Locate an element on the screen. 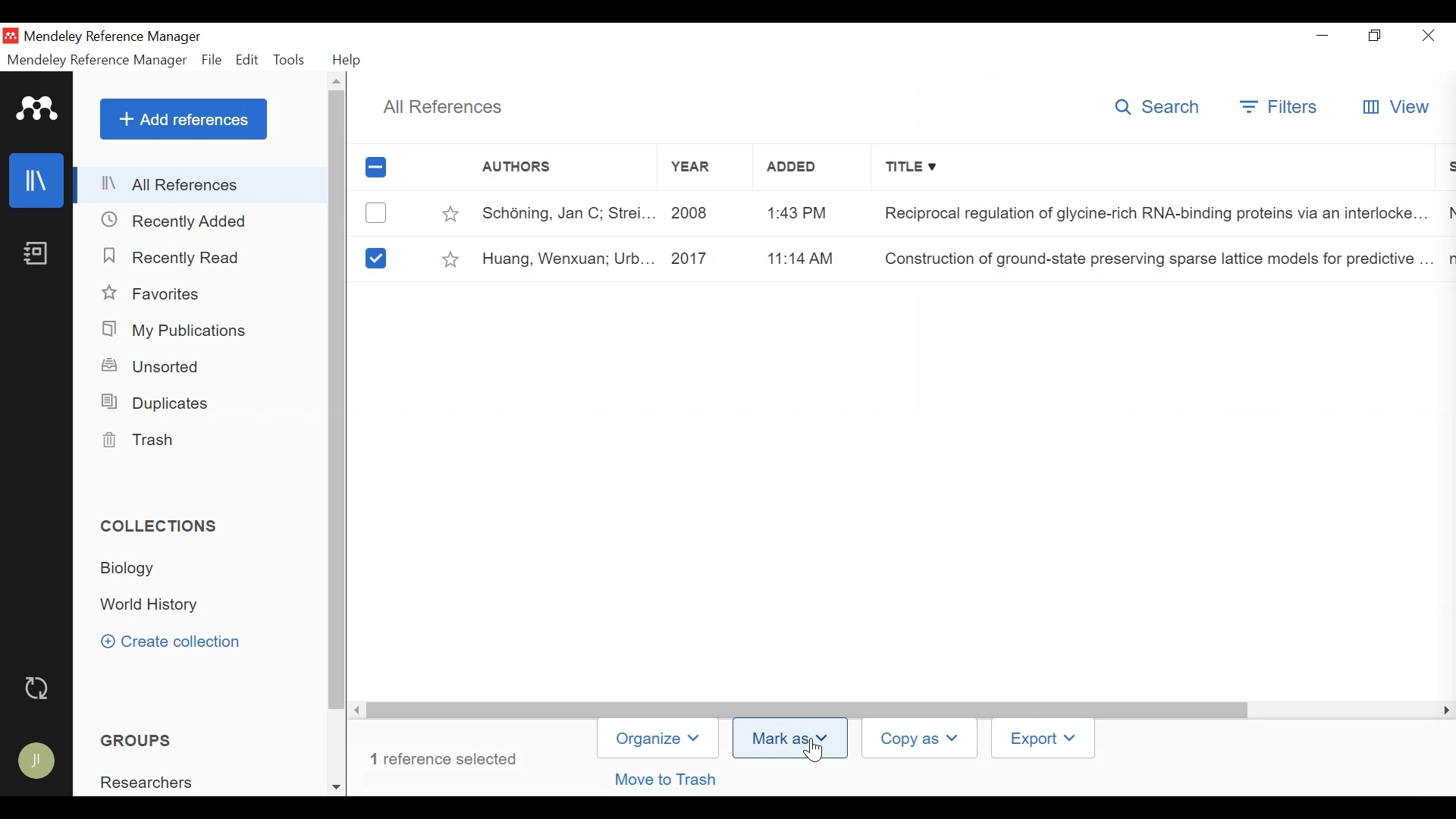 The image size is (1456, 819). Title is located at coordinates (1156, 169).